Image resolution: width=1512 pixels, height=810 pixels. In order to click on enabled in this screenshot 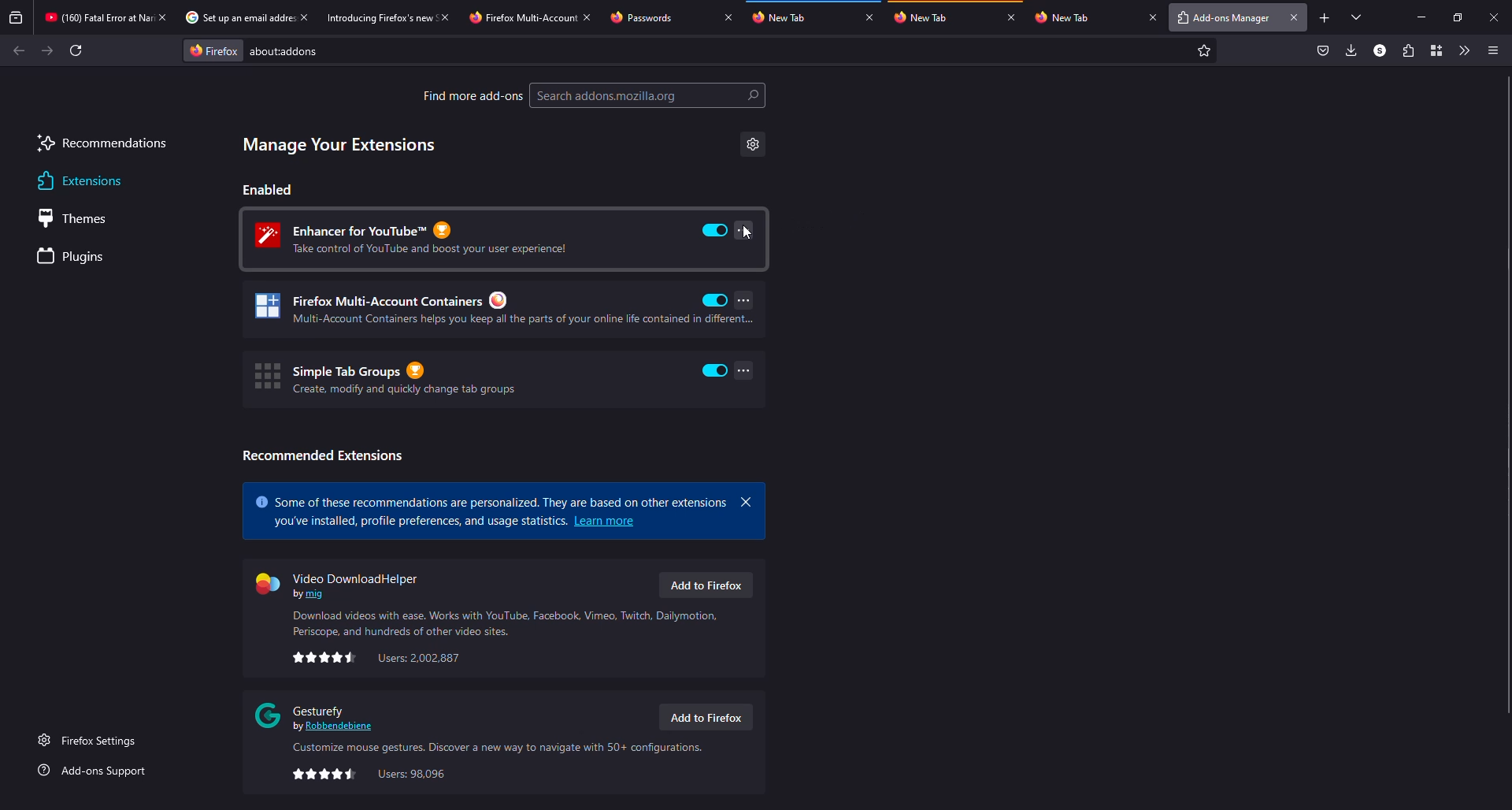, I will do `click(715, 230)`.